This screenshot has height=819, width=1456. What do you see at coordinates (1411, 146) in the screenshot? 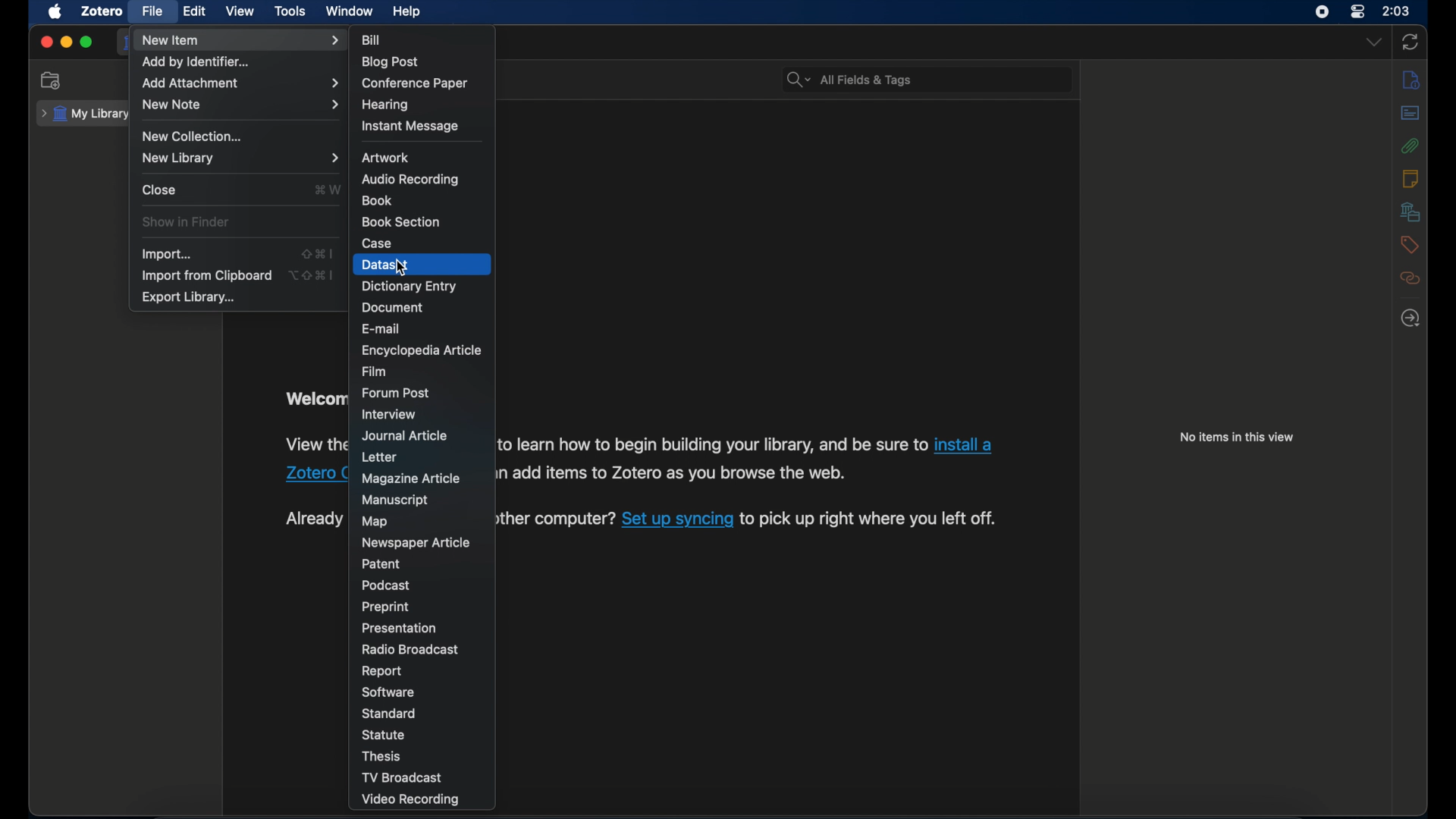
I see `attachments` at bounding box center [1411, 146].